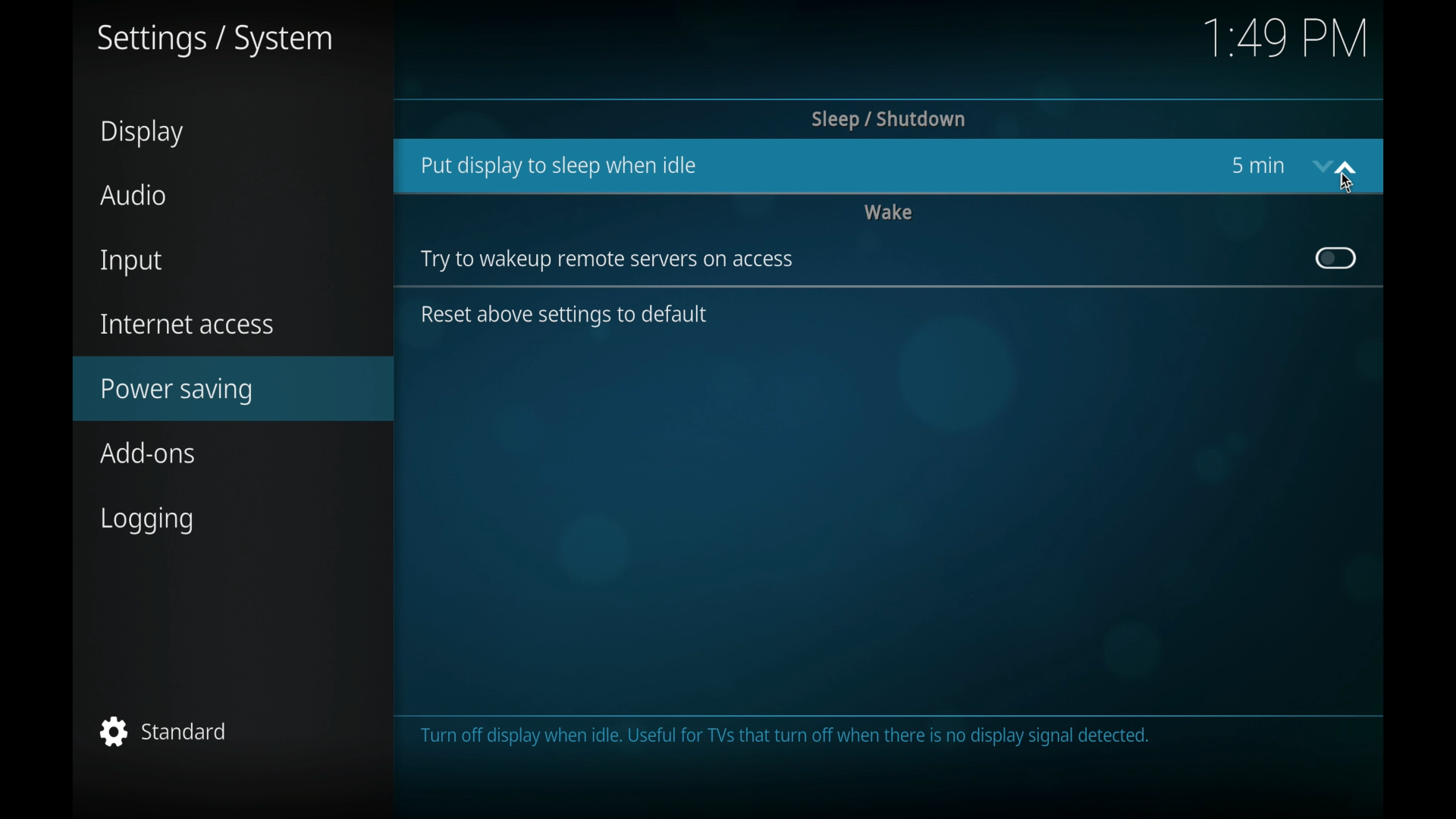  I want to click on cursor, so click(1347, 184).